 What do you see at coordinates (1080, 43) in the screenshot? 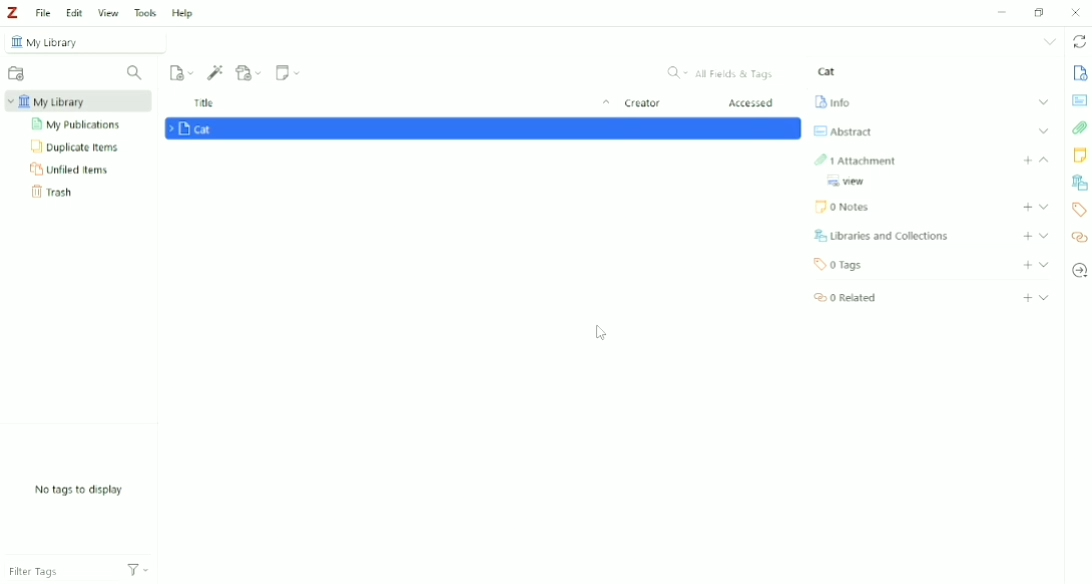
I see `Sync` at bounding box center [1080, 43].